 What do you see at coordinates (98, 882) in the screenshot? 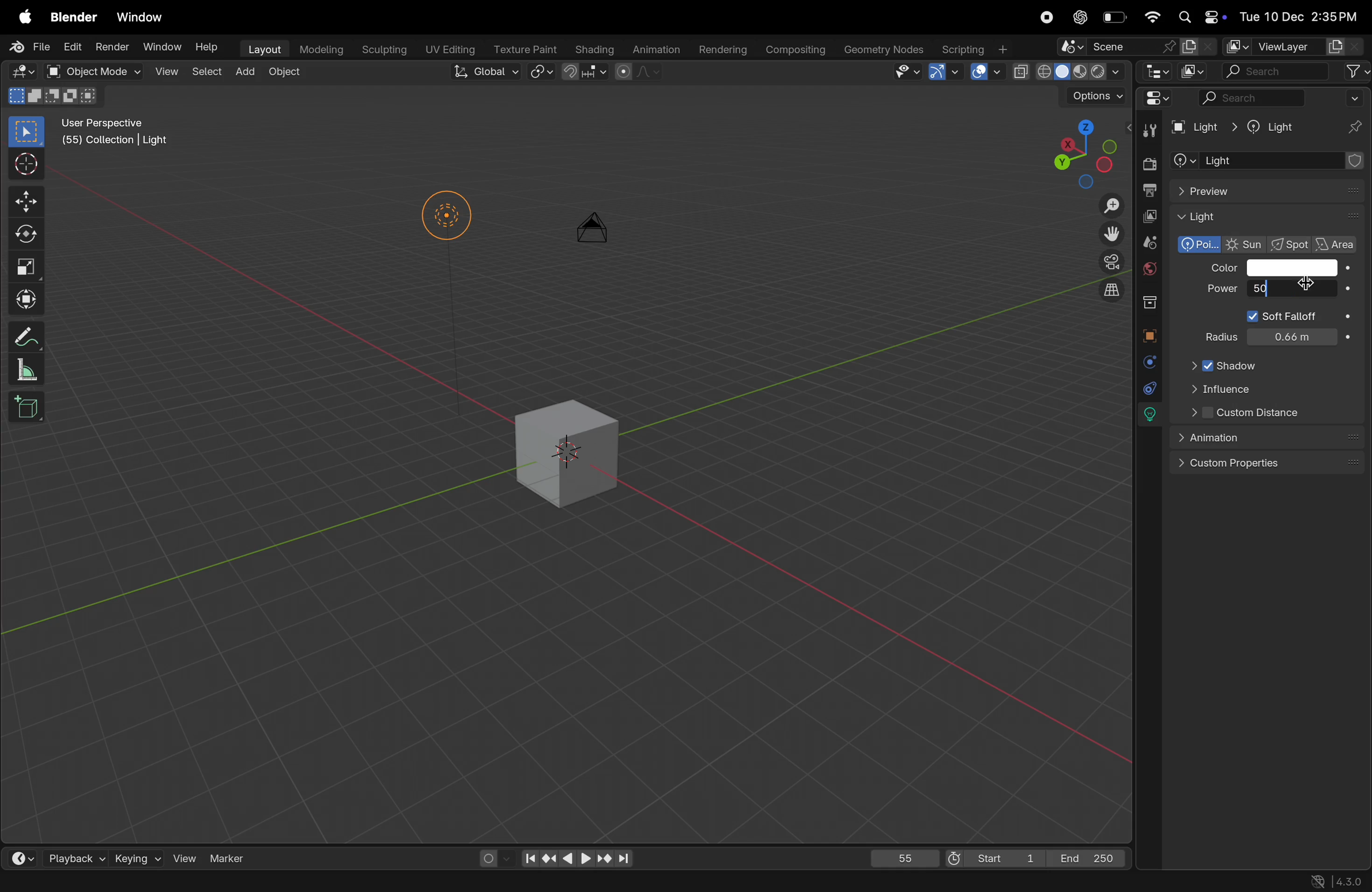
I see `rotate` at bounding box center [98, 882].